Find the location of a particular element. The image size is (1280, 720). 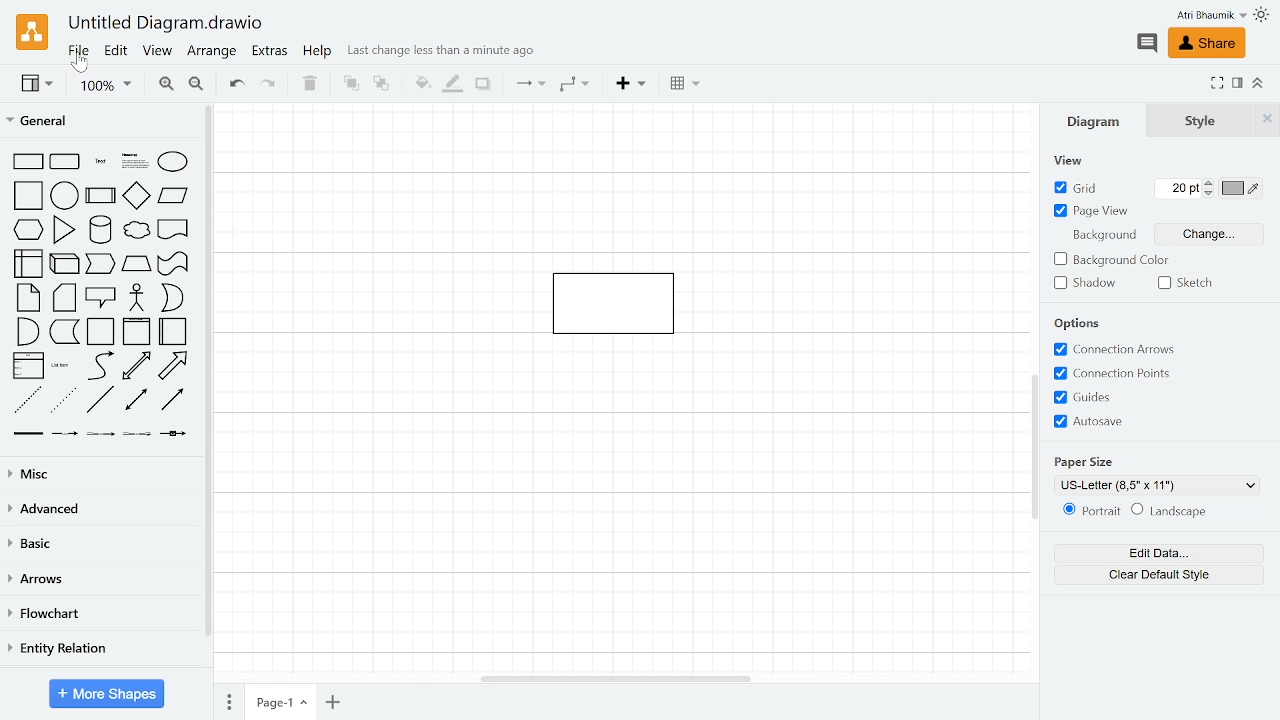

Theme is located at coordinates (1262, 14).